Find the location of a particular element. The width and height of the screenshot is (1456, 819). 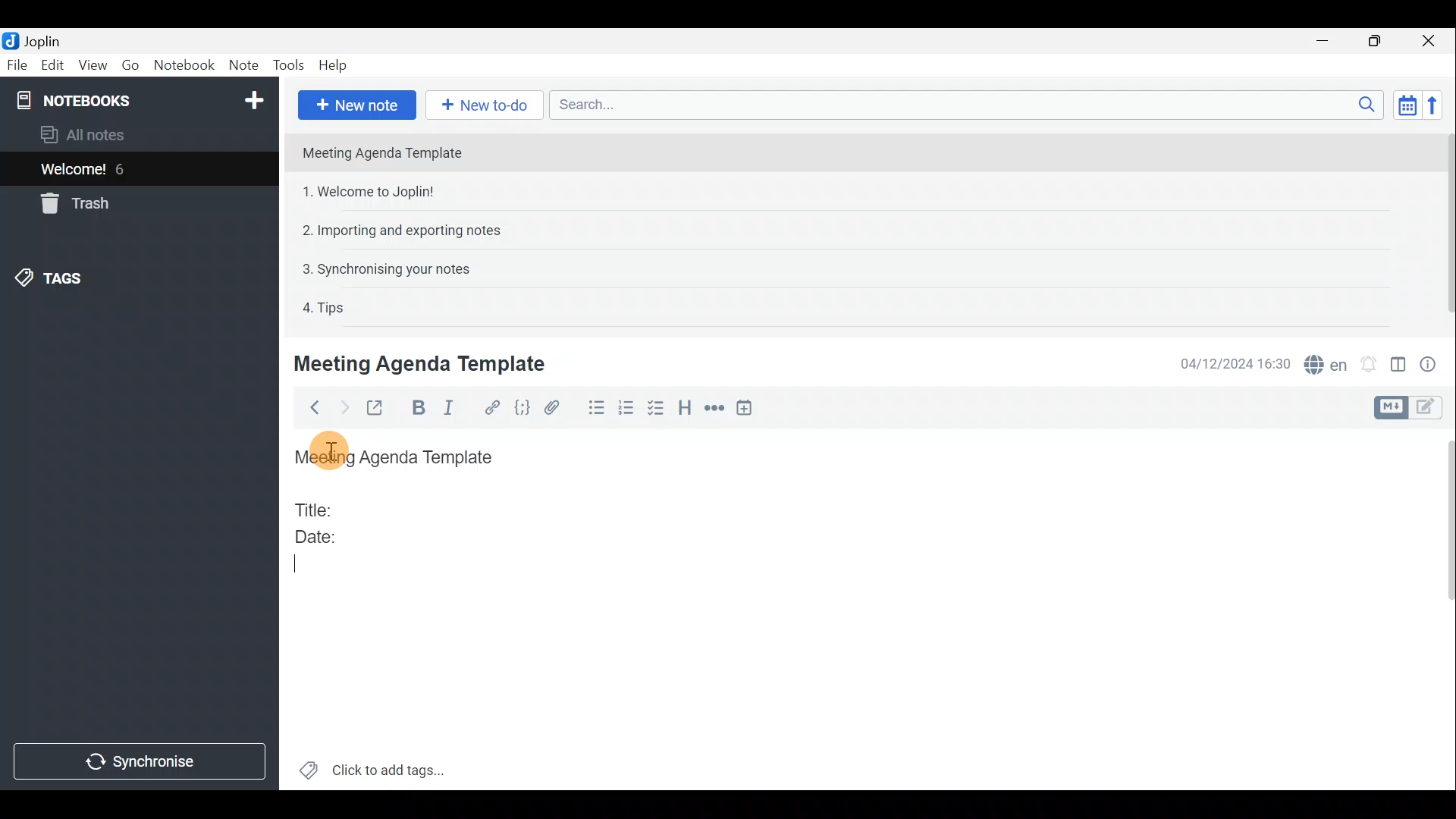

Close is located at coordinates (1429, 42).